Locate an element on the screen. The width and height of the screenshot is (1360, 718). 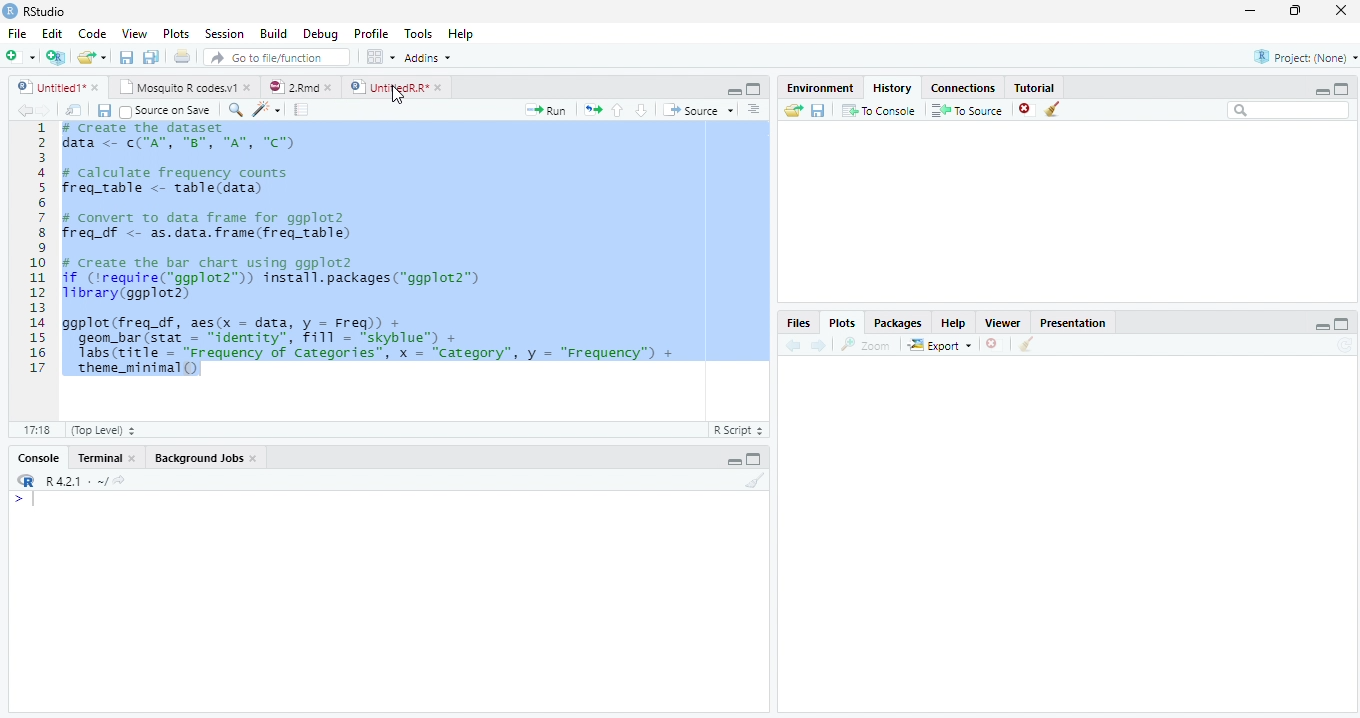
Build is located at coordinates (275, 34).